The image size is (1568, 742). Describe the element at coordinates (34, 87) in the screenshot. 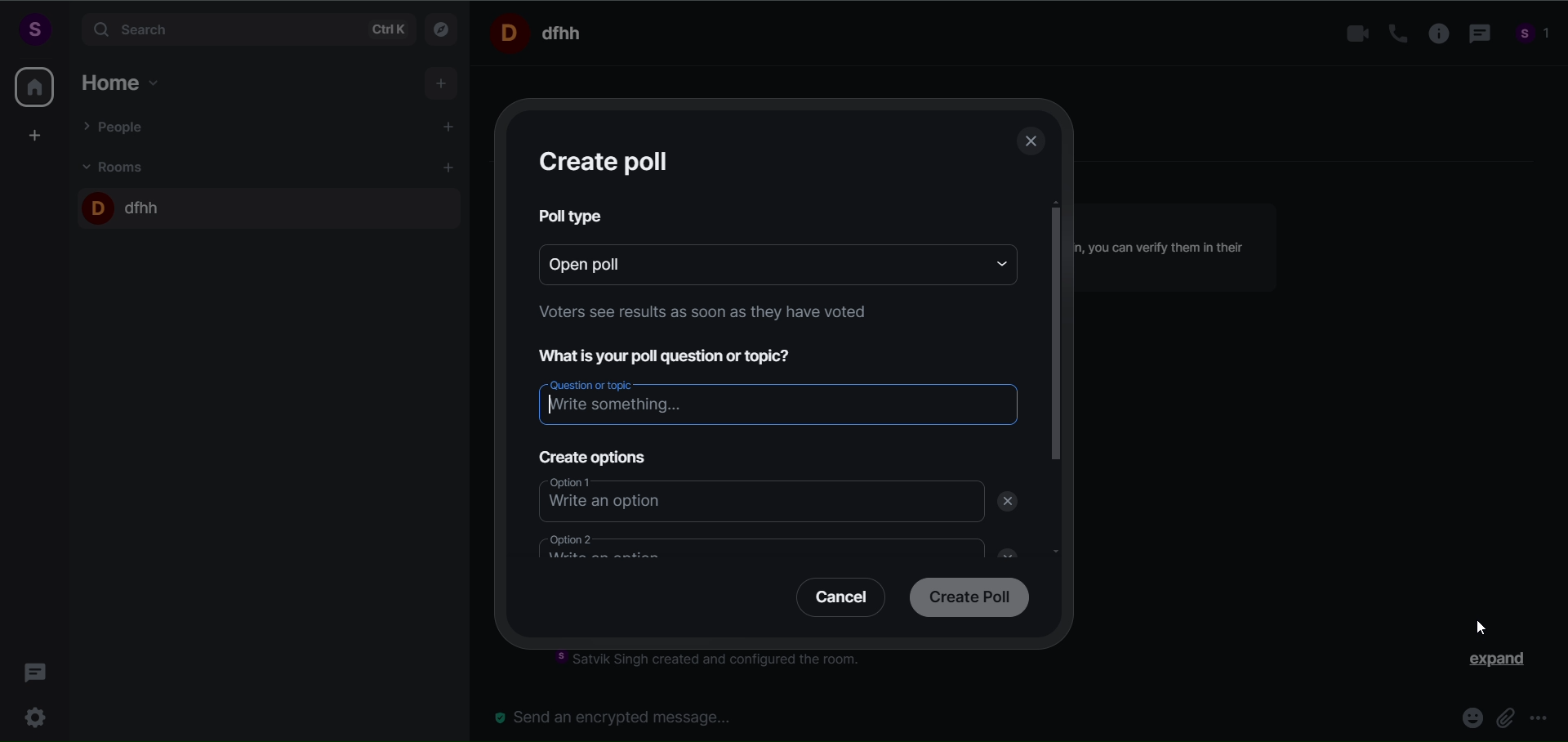

I see `home` at that location.